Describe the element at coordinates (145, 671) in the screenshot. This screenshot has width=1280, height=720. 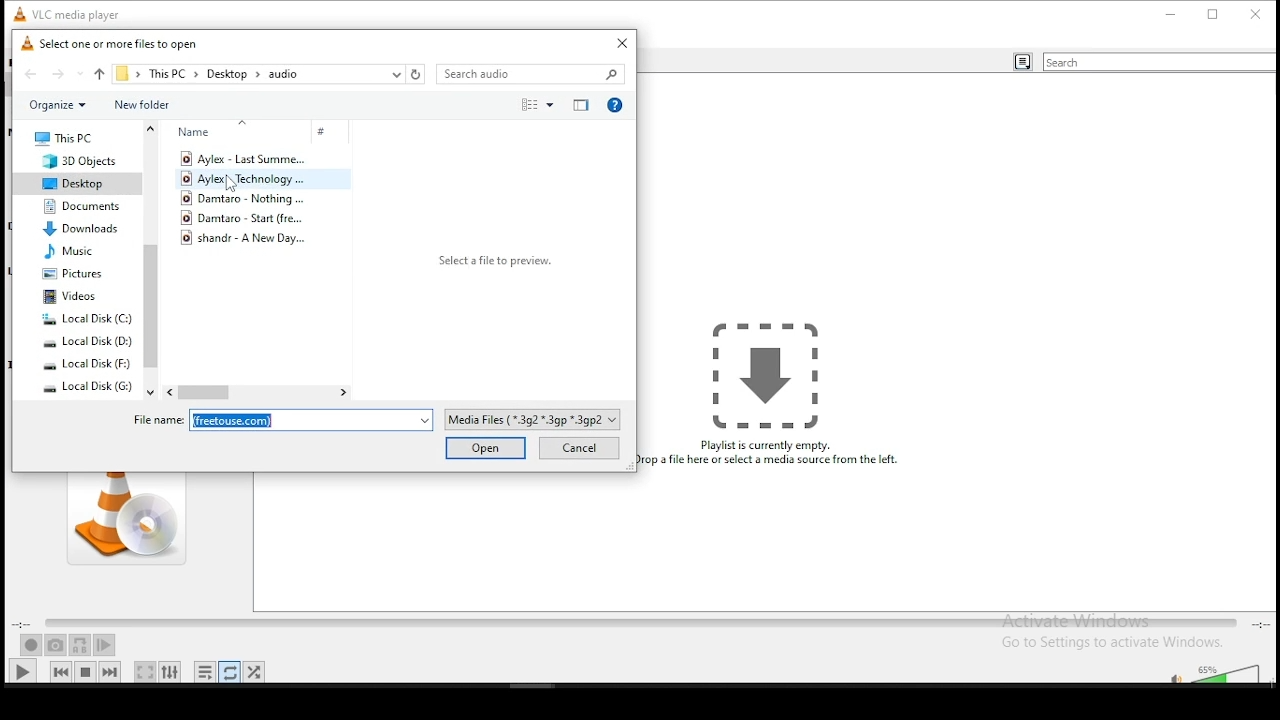
I see `toggle video in fullscreen` at that location.